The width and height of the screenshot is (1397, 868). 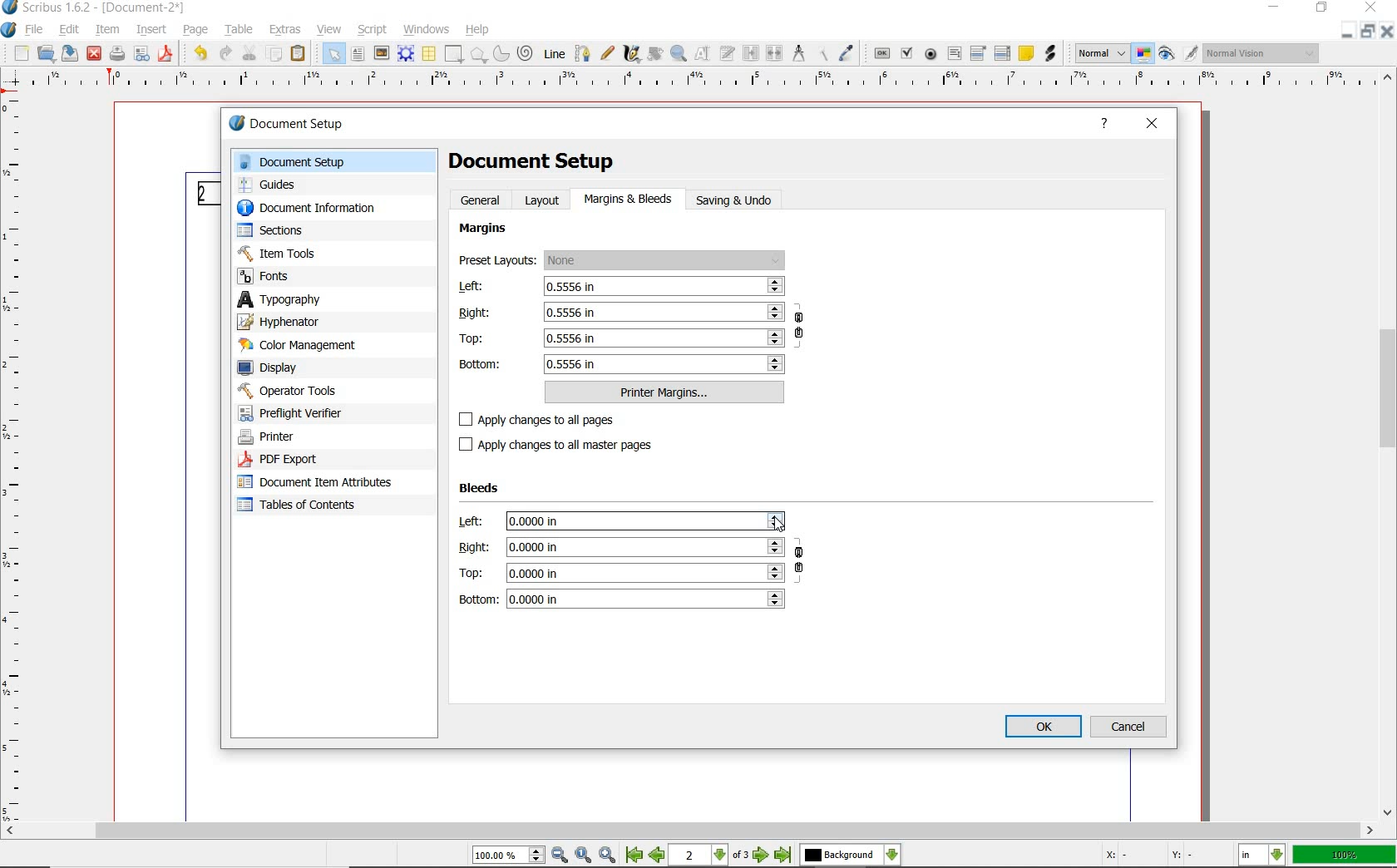 What do you see at coordinates (1346, 31) in the screenshot?
I see `Close` at bounding box center [1346, 31].